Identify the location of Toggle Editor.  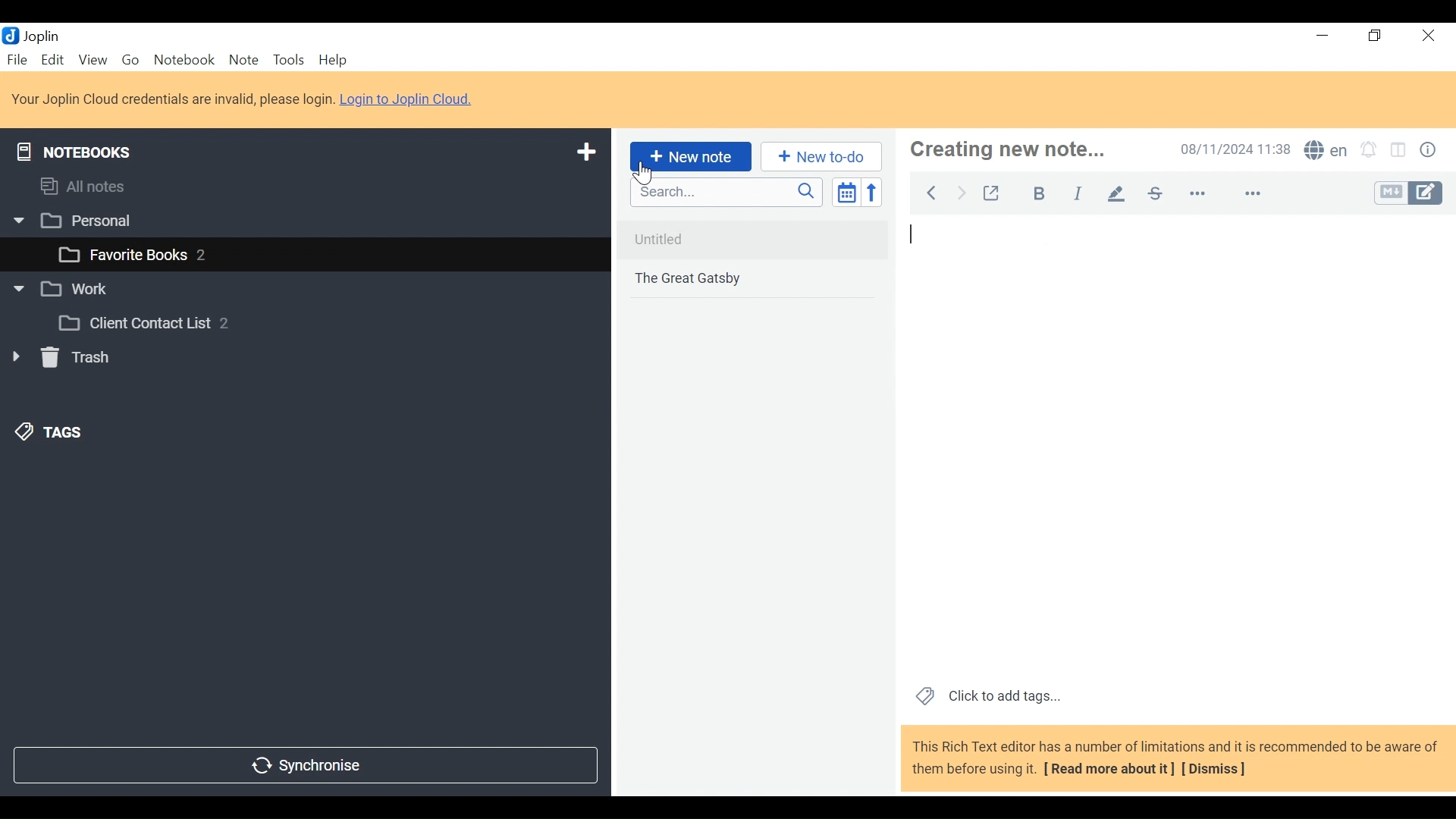
(1413, 193).